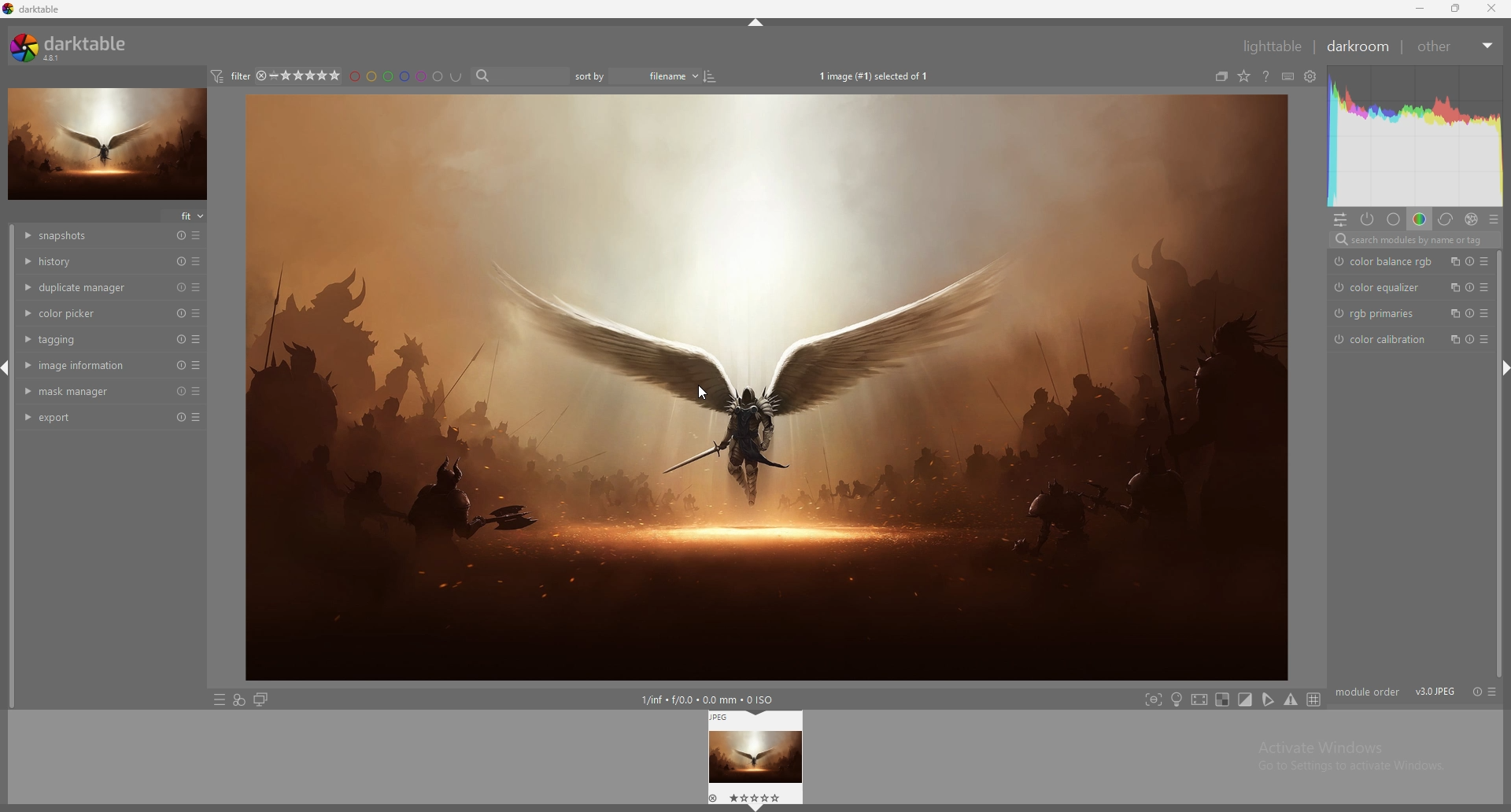  Describe the element at coordinates (261, 700) in the screenshot. I see `second darkroom image` at that location.